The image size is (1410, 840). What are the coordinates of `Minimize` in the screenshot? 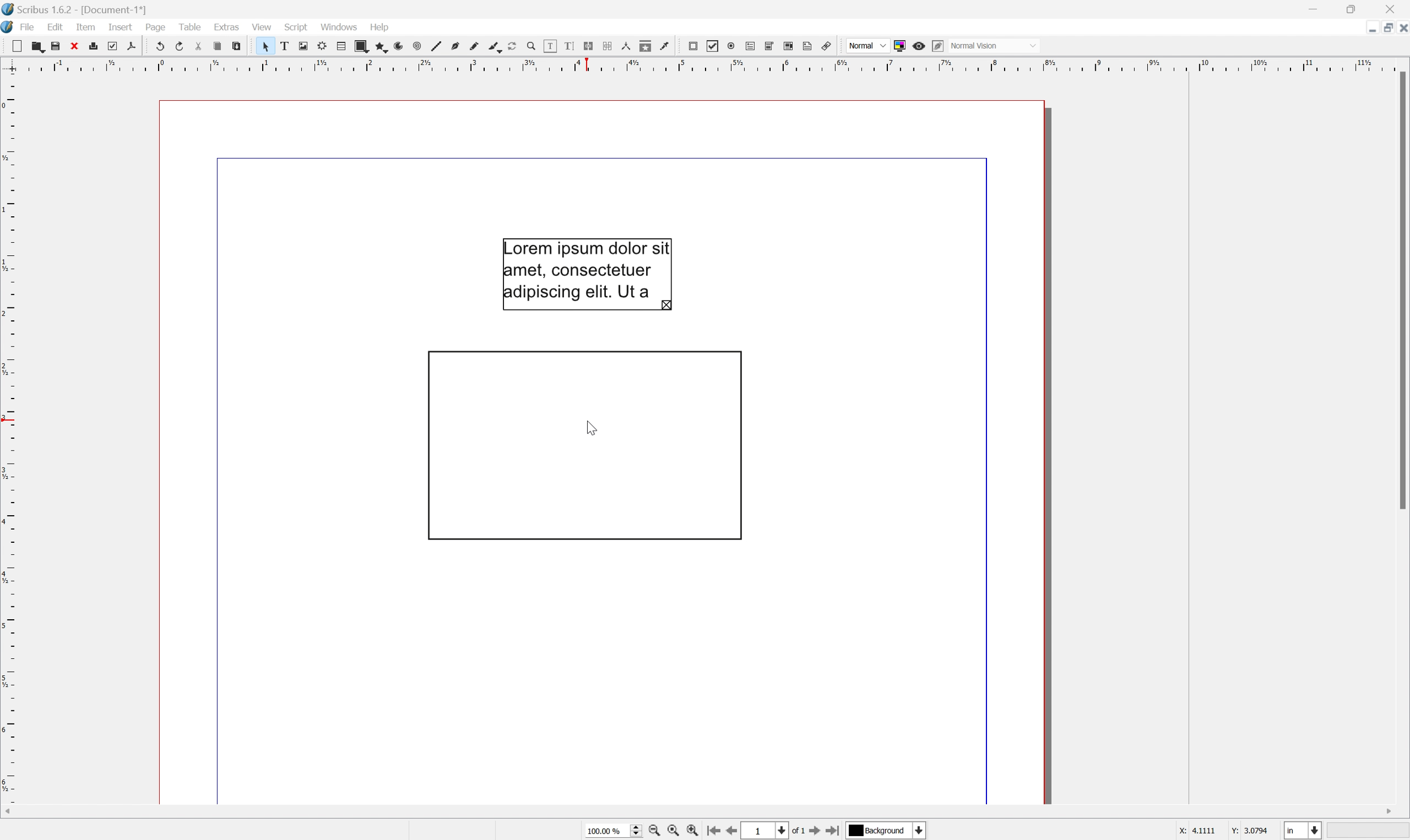 It's located at (1310, 8).